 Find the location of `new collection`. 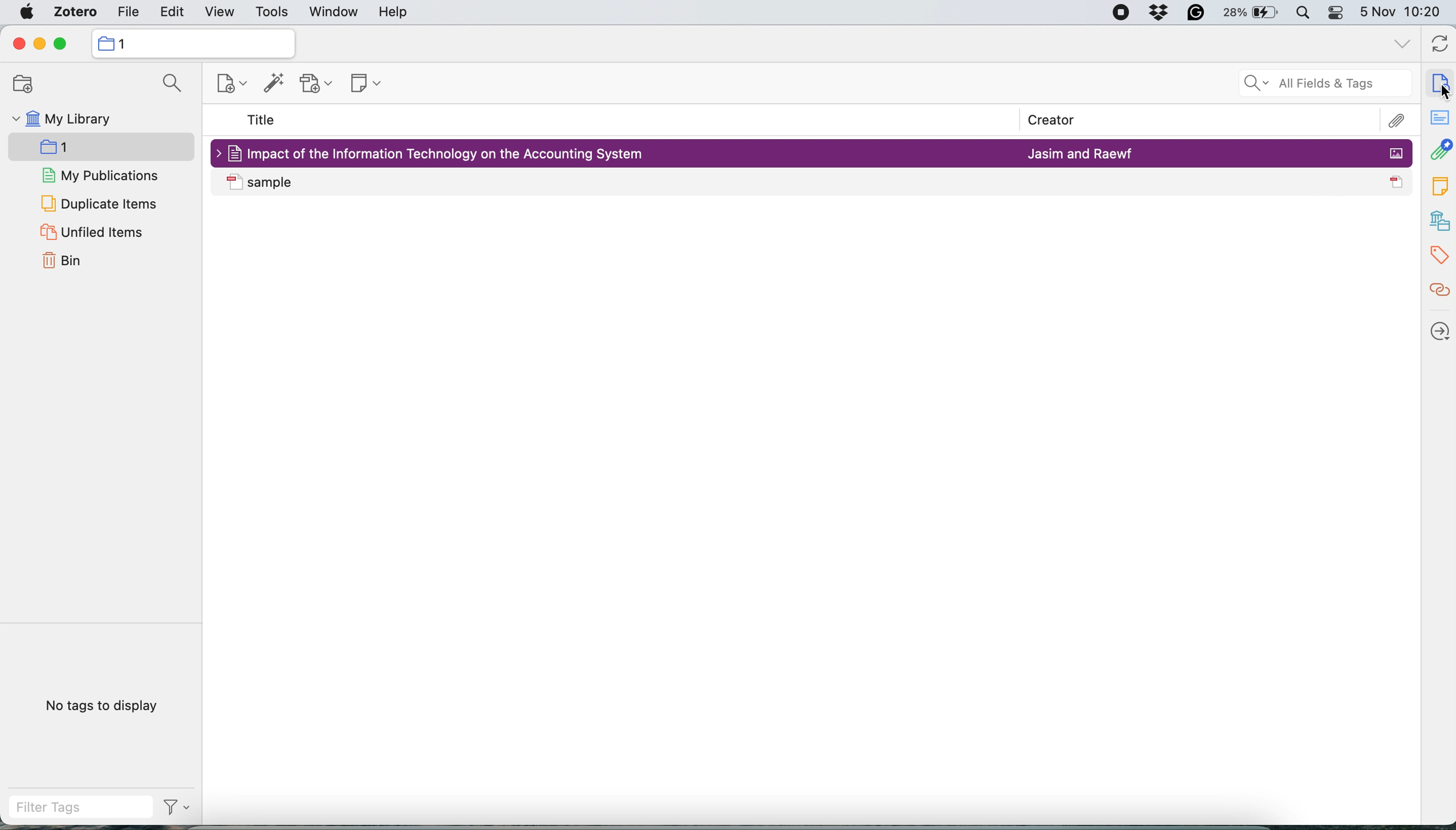

new collection is located at coordinates (23, 83).